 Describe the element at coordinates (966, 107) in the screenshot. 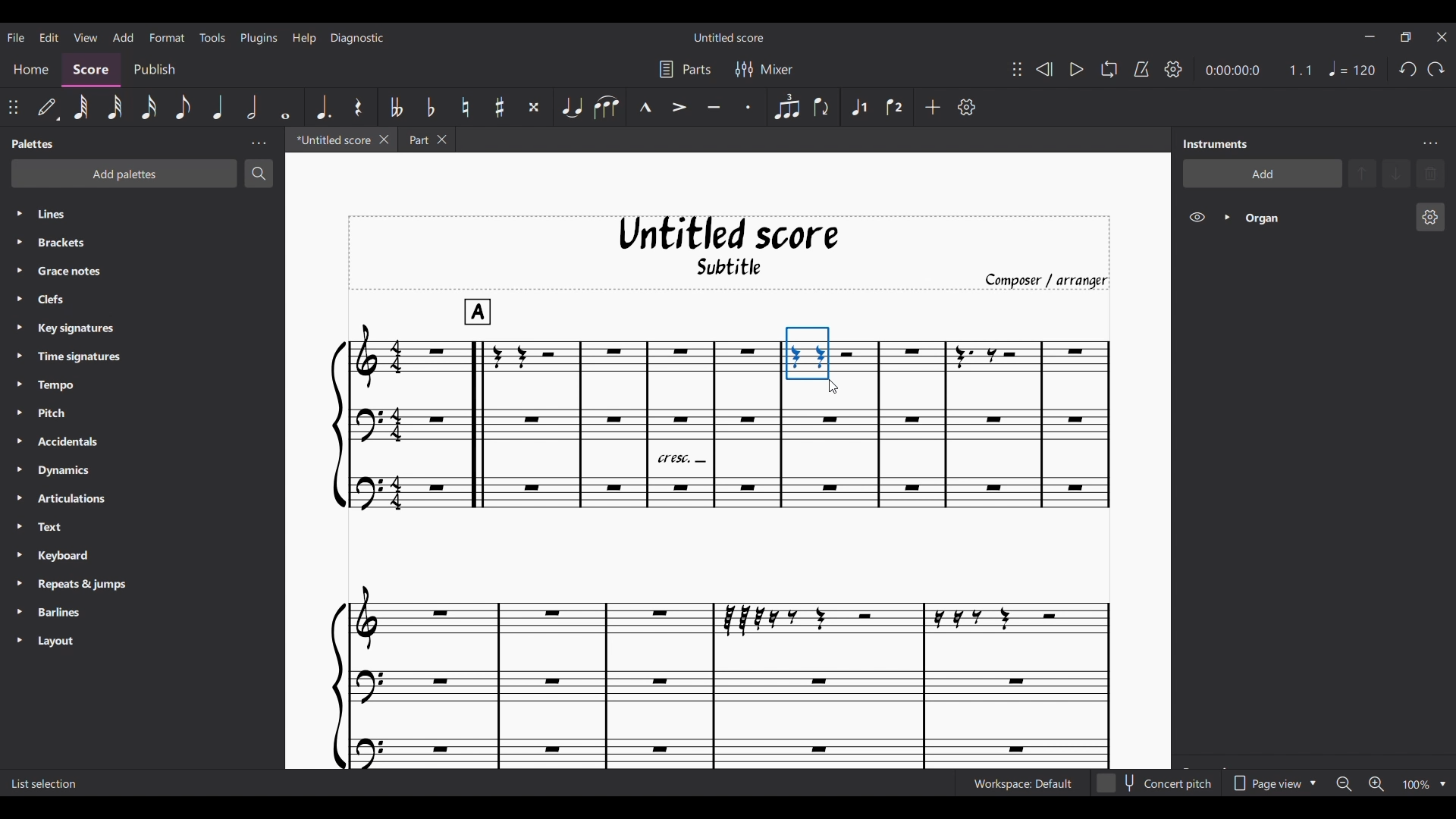

I see `Customize toolbar` at that location.